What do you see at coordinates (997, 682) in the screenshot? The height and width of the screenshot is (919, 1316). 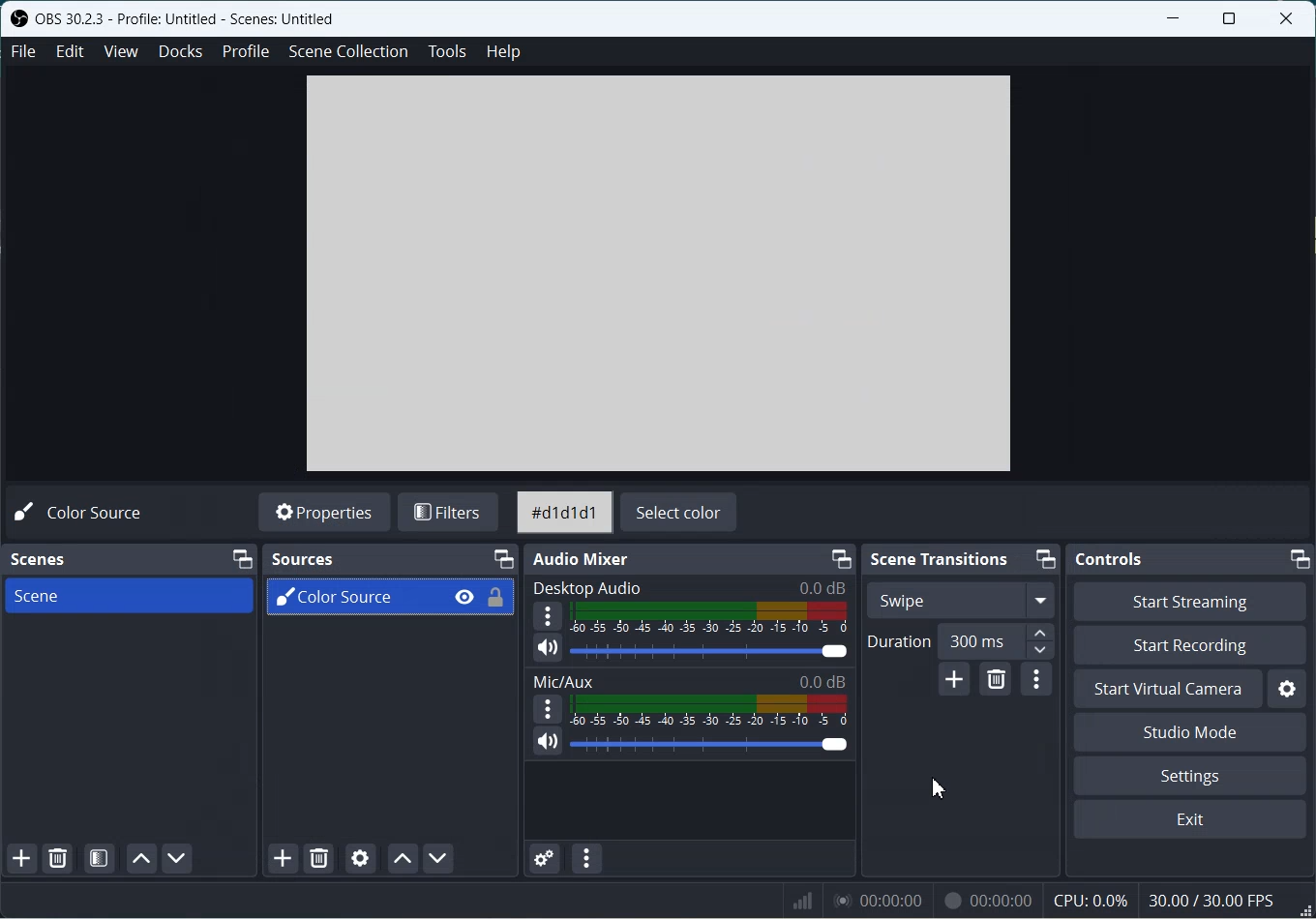 I see `Remove configurable transition` at bounding box center [997, 682].